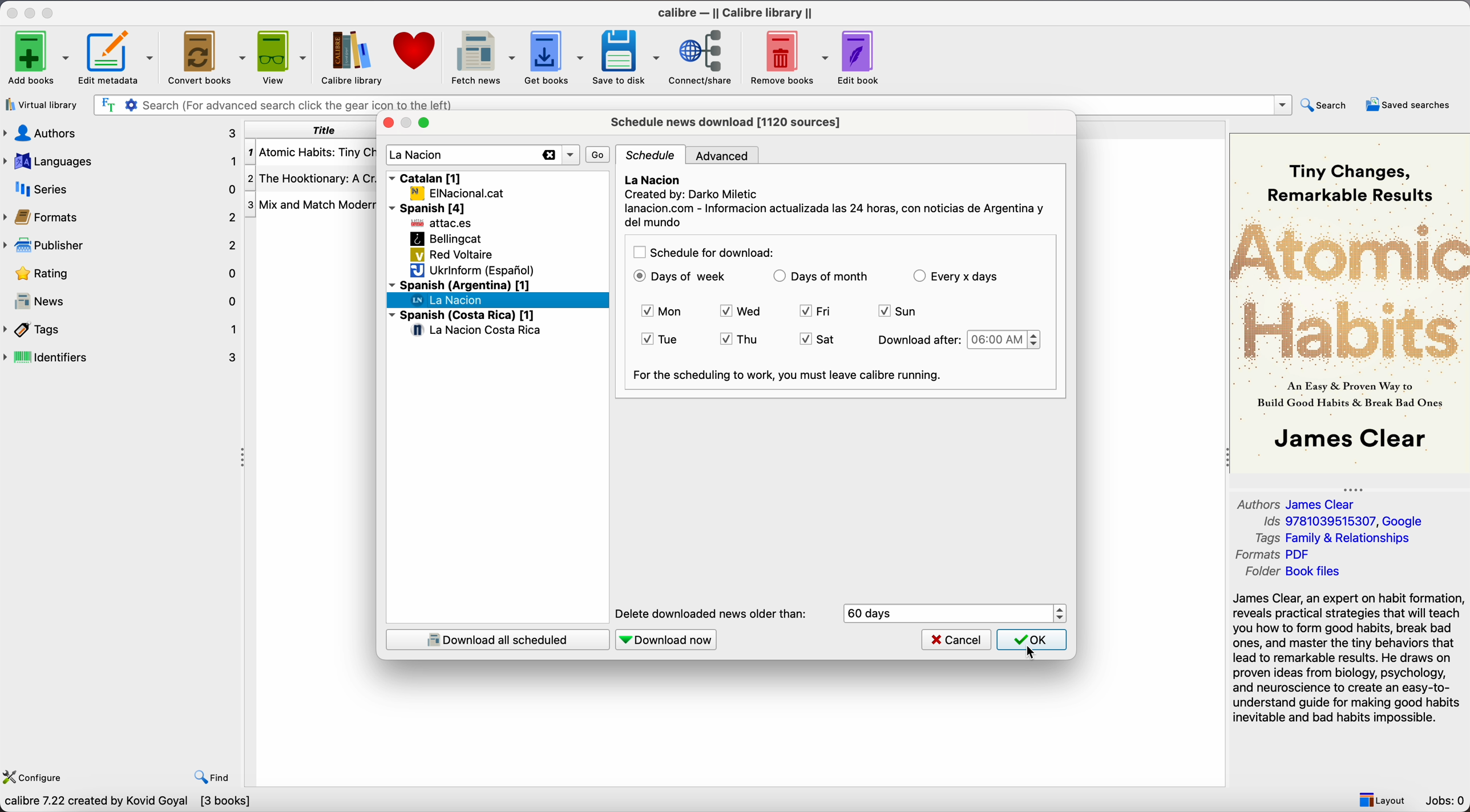  What do you see at coordinates (12, 11) in the screenshot?
I see `close program` at bounding box center [12, 11].